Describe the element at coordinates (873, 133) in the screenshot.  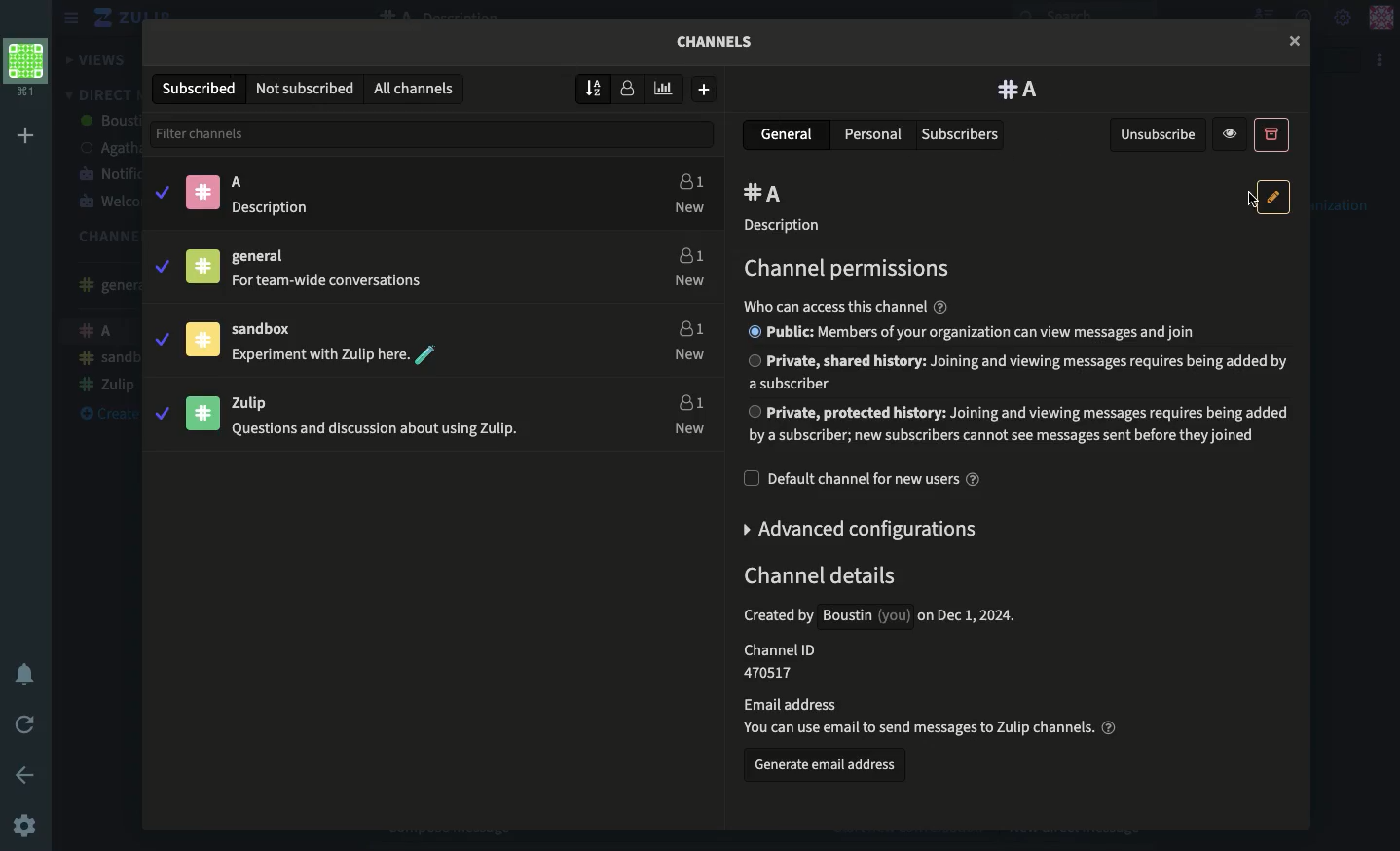
I see `Personal` at that location.